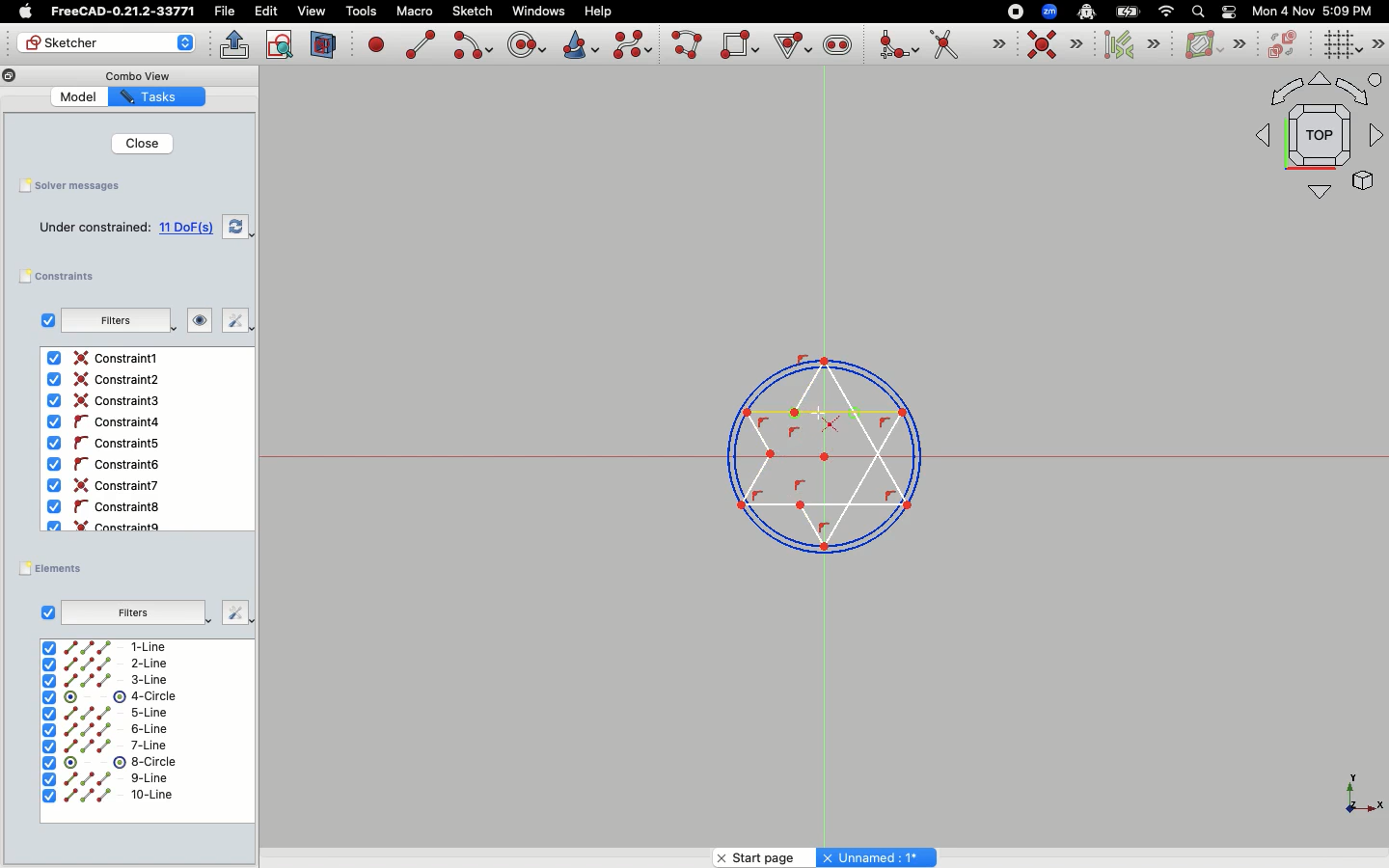 This screenshot has width=1389, height=868. Describe the element at coordinates (1315, 12) in the screenshot. I see `Mon 4 Nov 5:09 PM` at that location.